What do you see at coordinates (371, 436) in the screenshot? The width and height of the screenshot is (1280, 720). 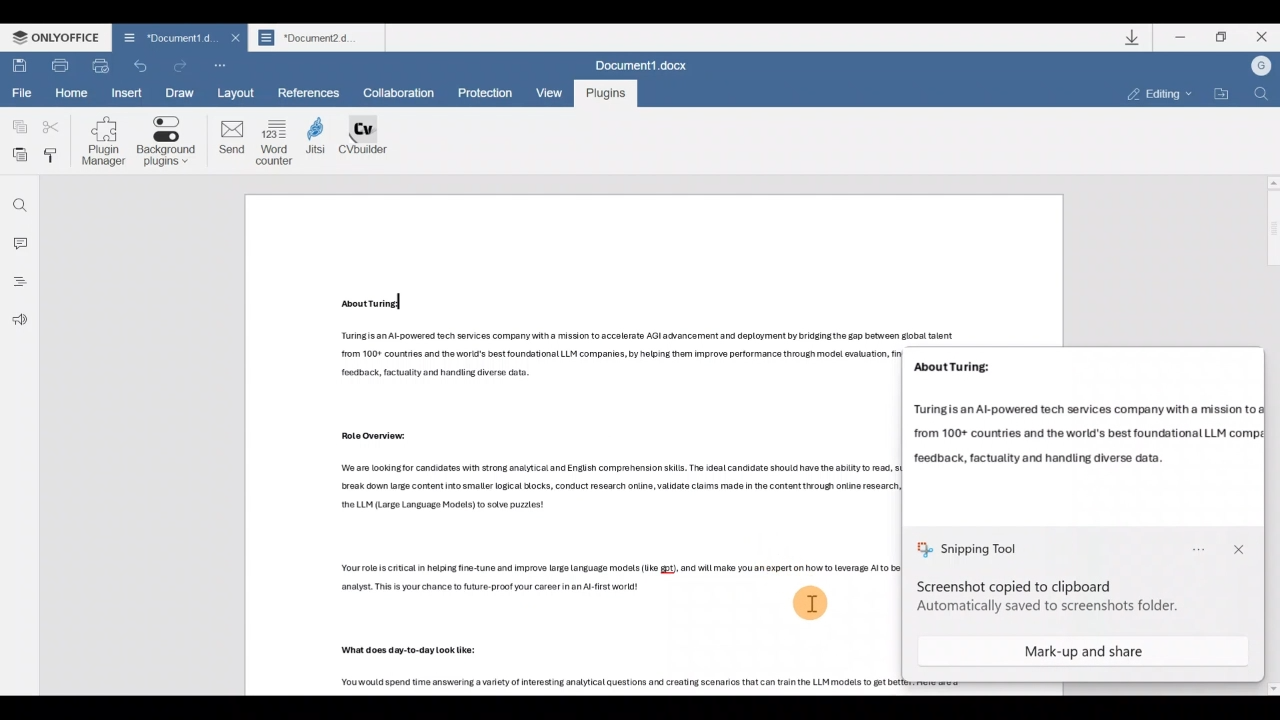 I see `` at bounding box center [371, 436].